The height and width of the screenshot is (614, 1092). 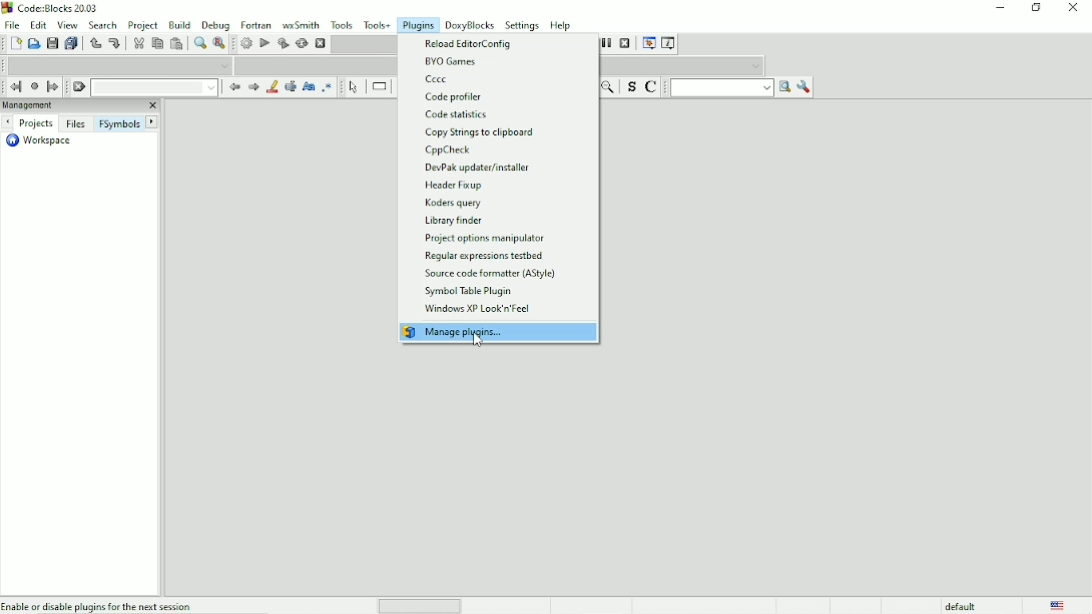 I want to click on Project, so click(x=143, y=24).